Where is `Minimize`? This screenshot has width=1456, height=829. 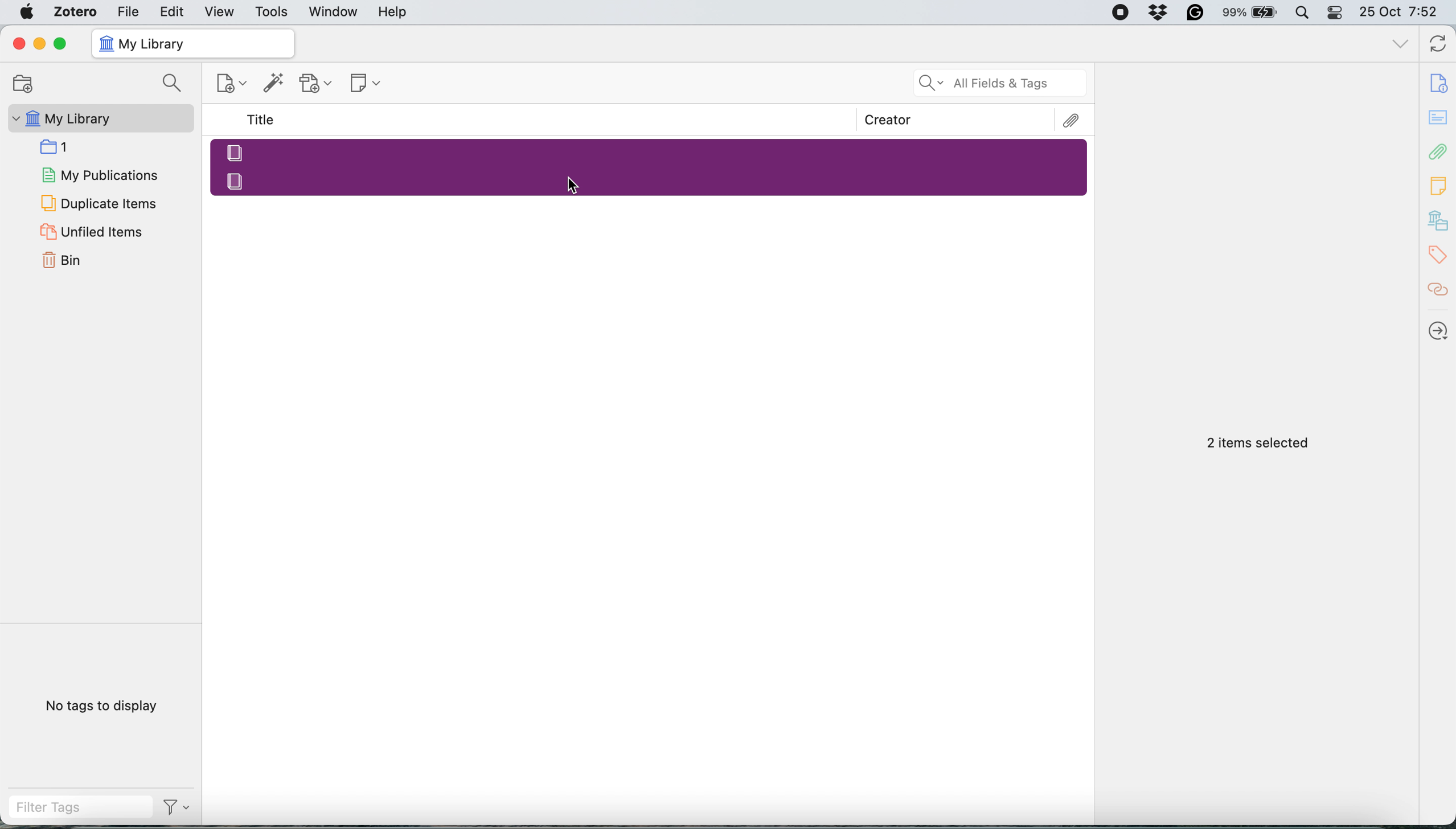
Minimize is located at coordinates (38, 44).